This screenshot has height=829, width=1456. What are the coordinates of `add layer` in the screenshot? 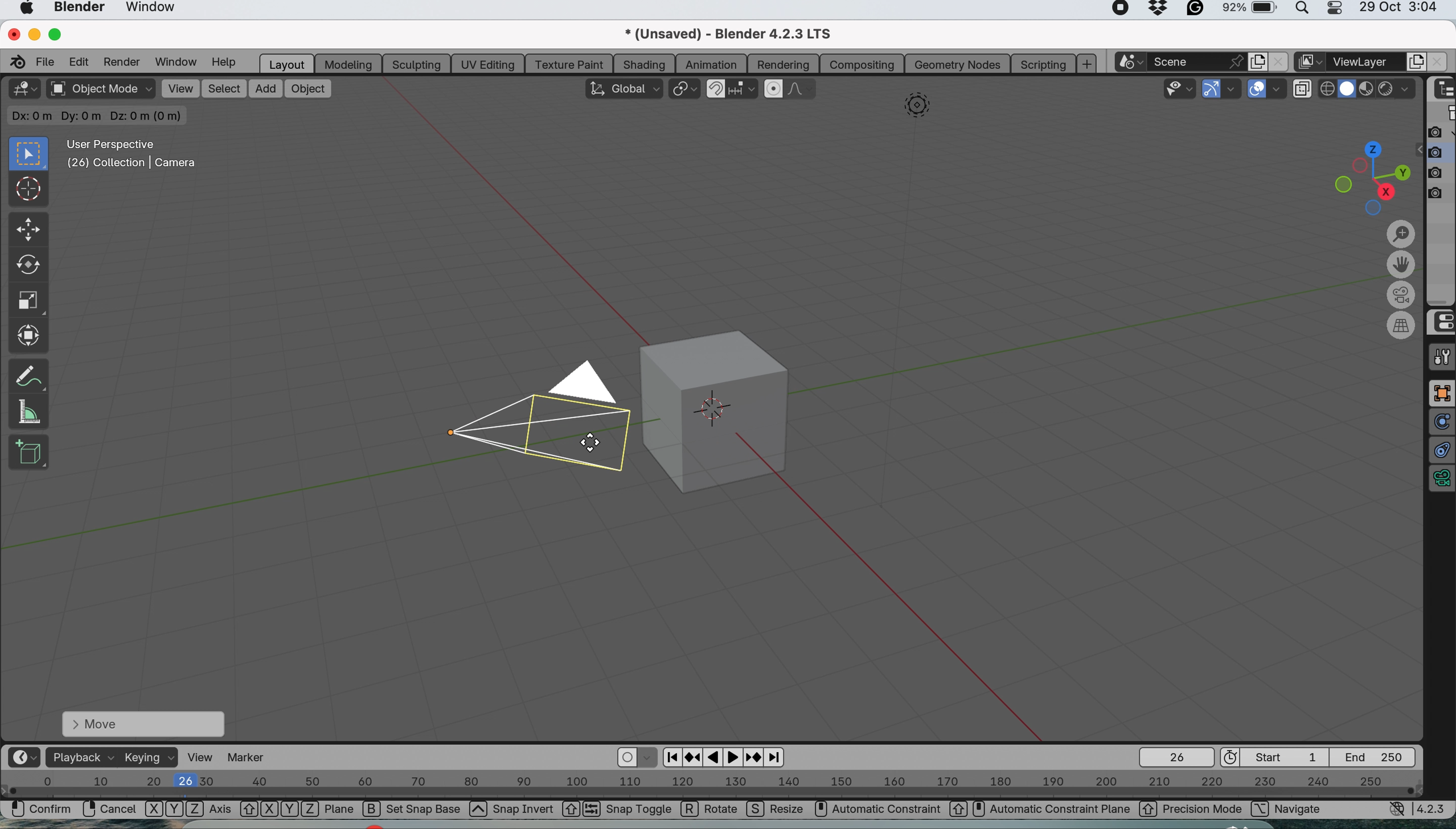 It's located at (1417, 61).